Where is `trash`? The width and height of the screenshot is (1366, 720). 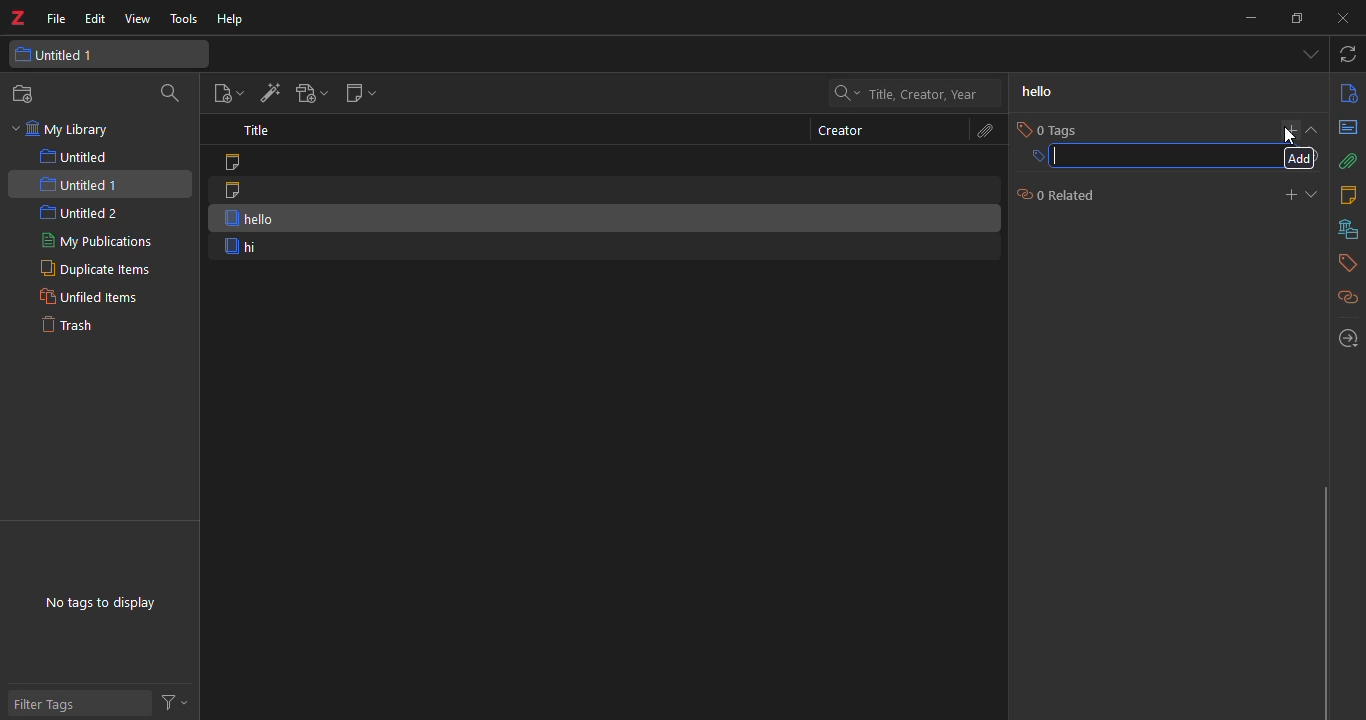 trash is located at coordinates (79, 329).